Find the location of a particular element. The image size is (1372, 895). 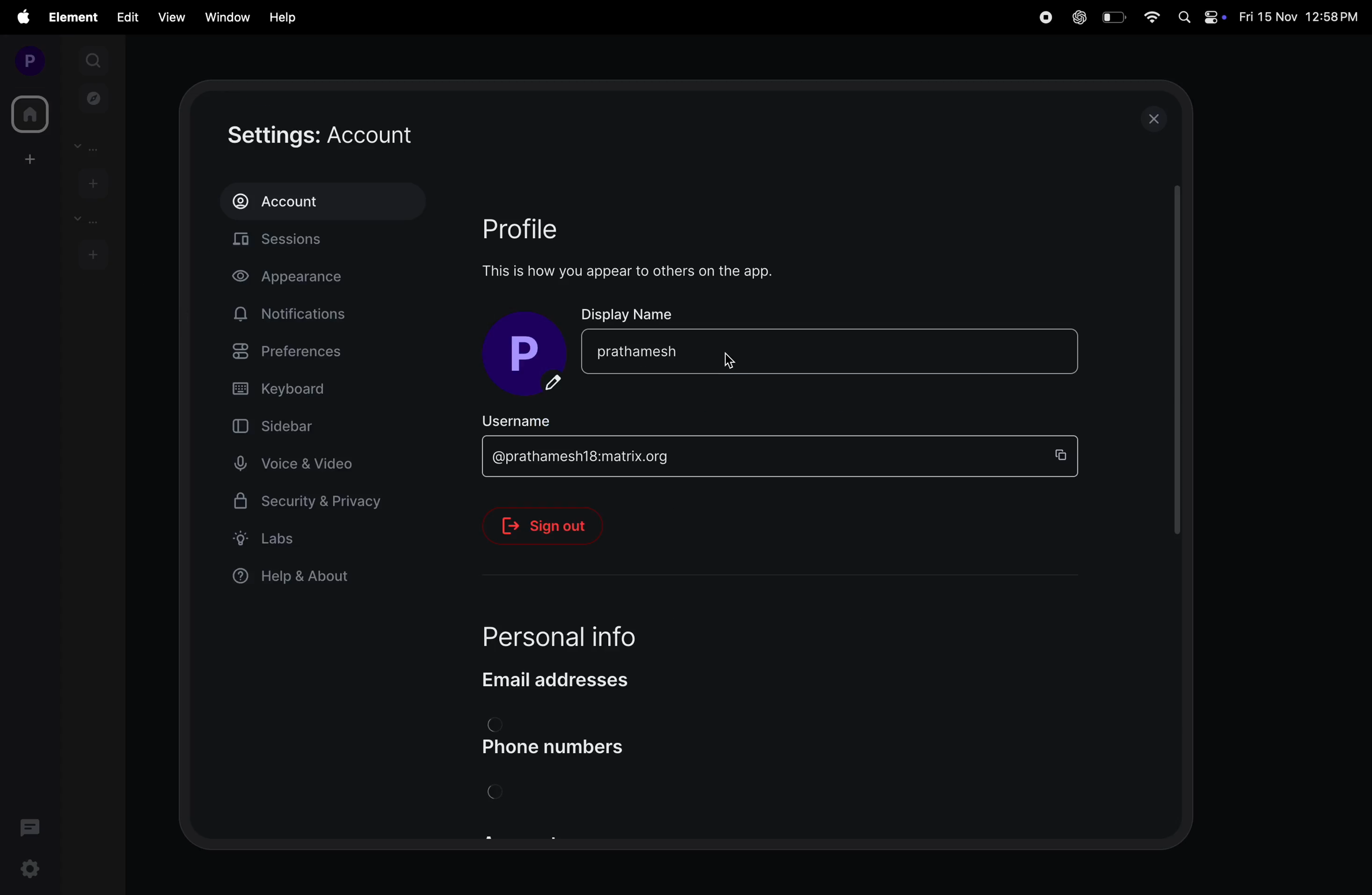

cursor is located at coordinates (730, 364).